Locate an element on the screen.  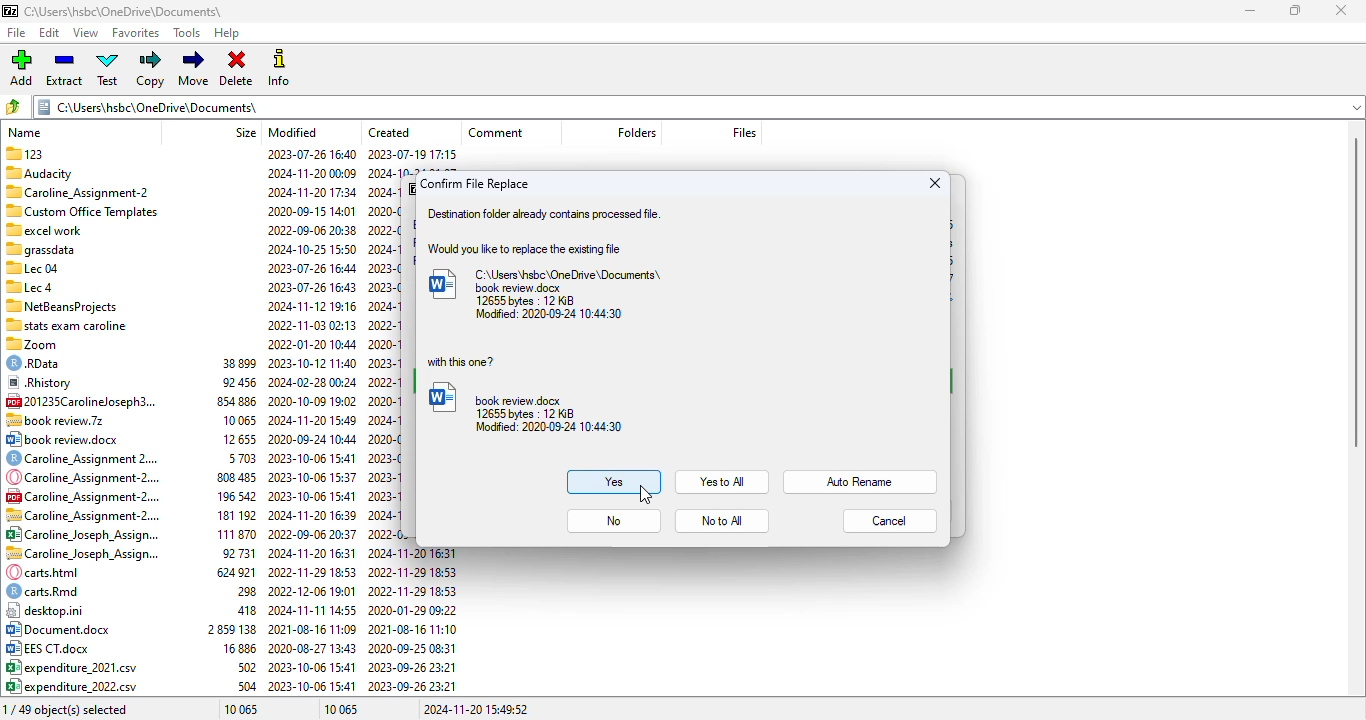
view is located at coordinates (85, 33).